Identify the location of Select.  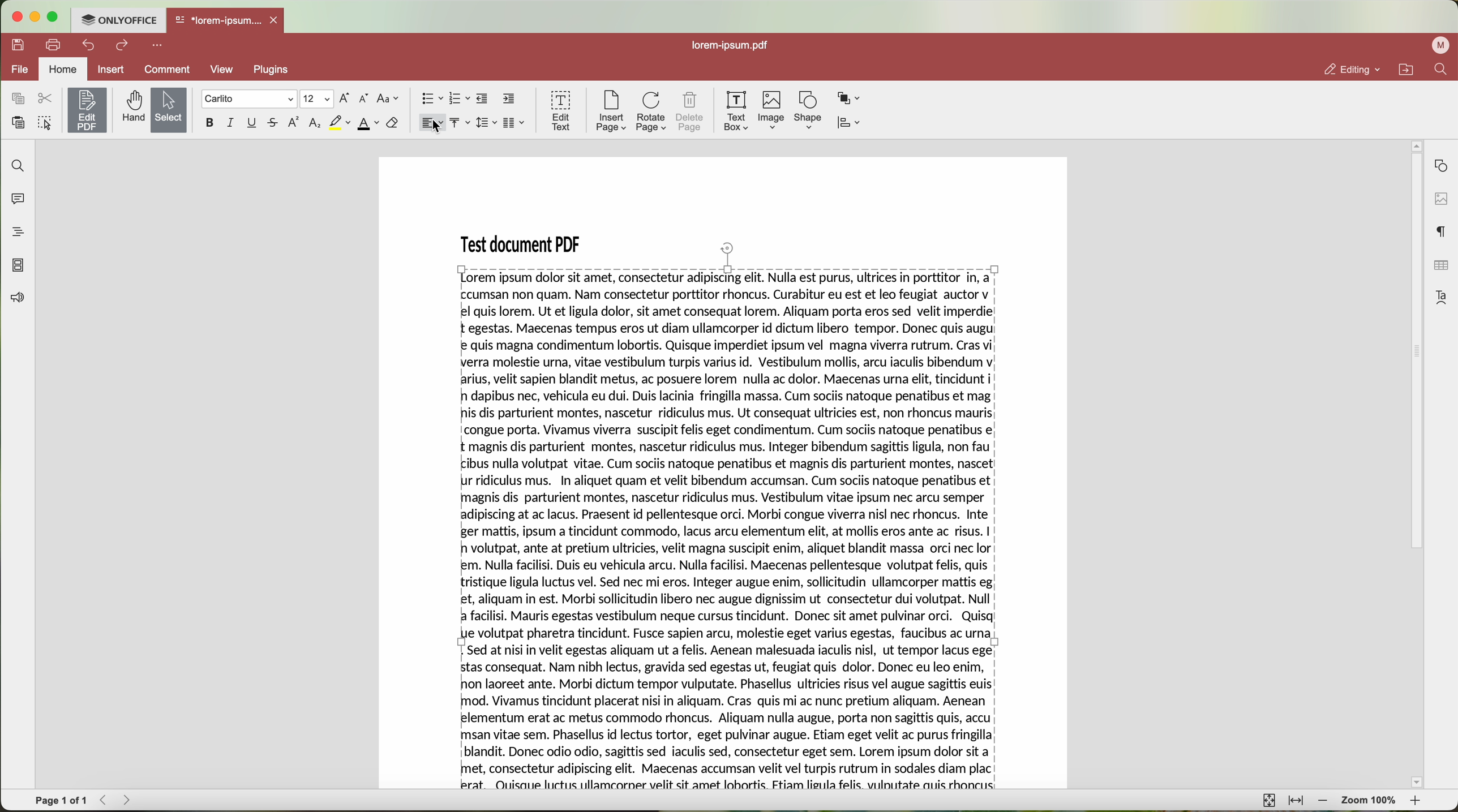
(168, 110).